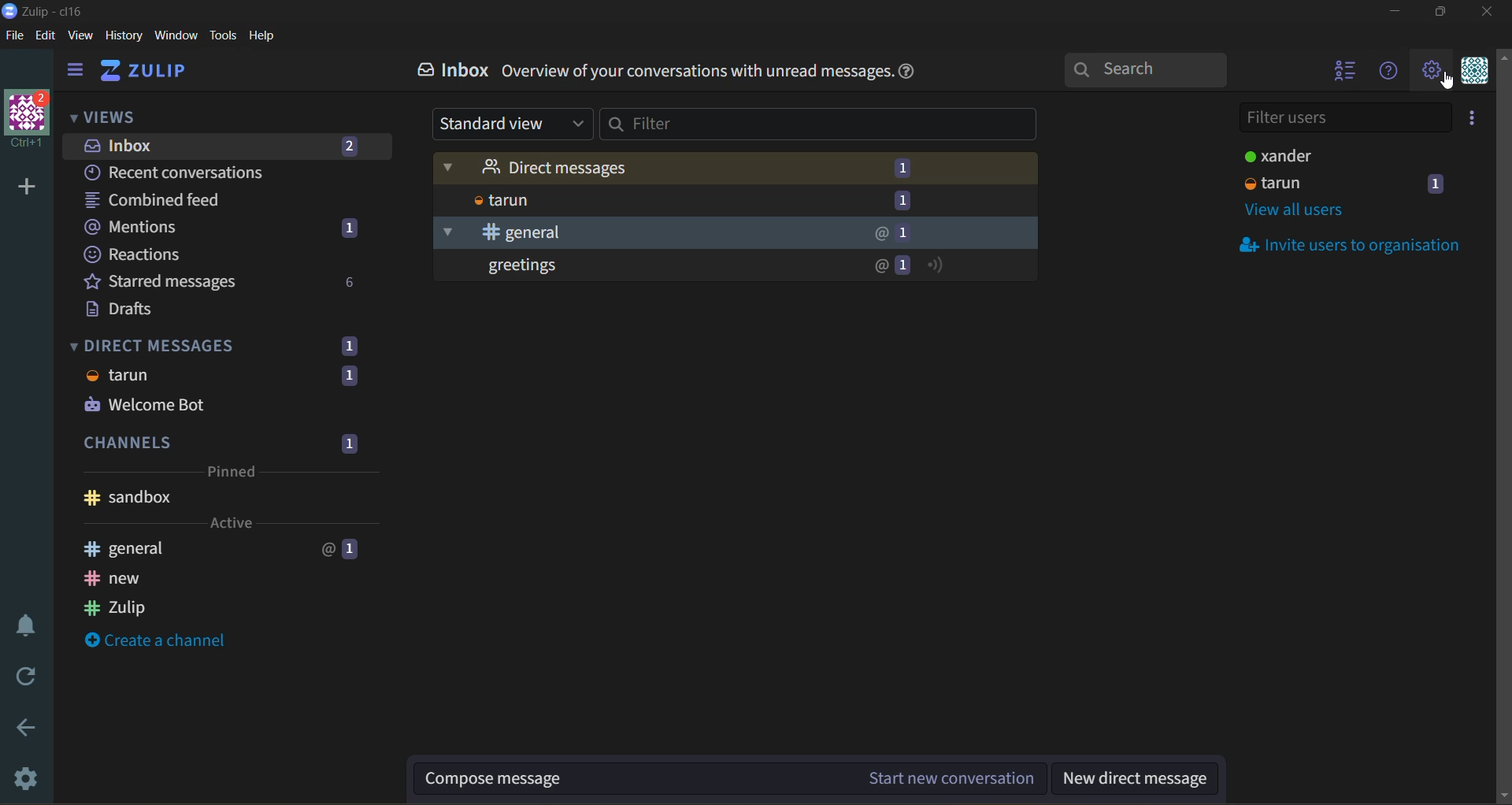 Image resolution: width=1512 pixels, height=805 pixels. What do you see at coordinates (169, 644) in the screenshot?
I see `create a channel` at bounding box center [169, 644].